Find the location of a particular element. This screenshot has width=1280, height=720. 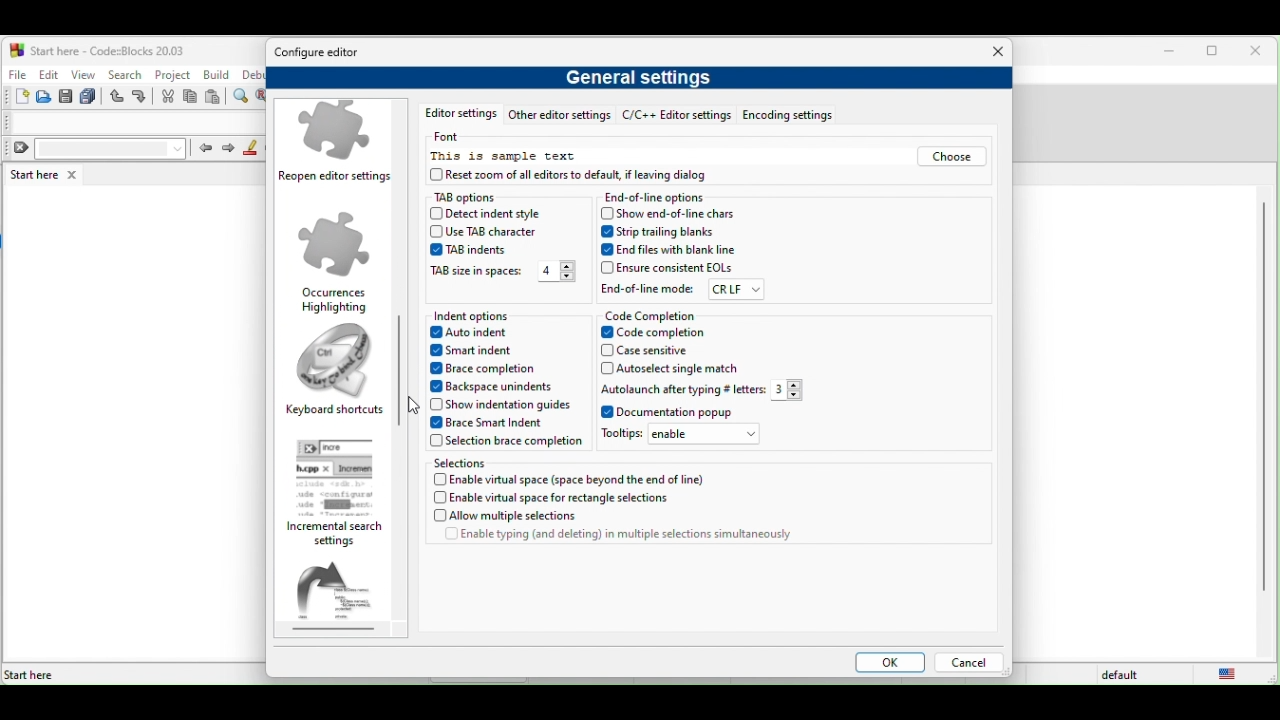

strip trailing blanks is located at coordinates (662, 232).